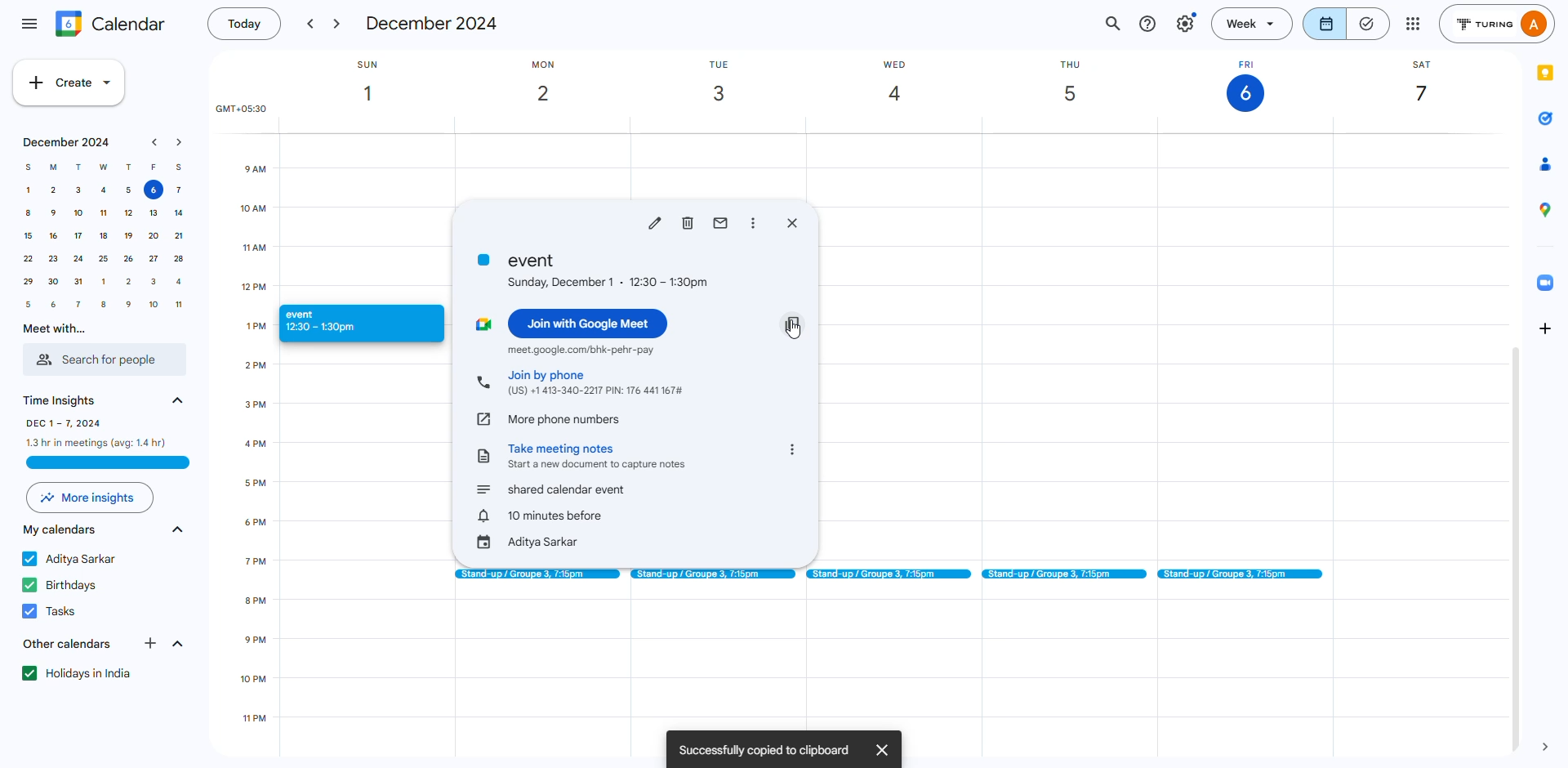 This screenshot has width=1568, height=768. What do you see at coordinates (793, 323) in the screenshot?
I see `copy` at bounding box center [793, 323].